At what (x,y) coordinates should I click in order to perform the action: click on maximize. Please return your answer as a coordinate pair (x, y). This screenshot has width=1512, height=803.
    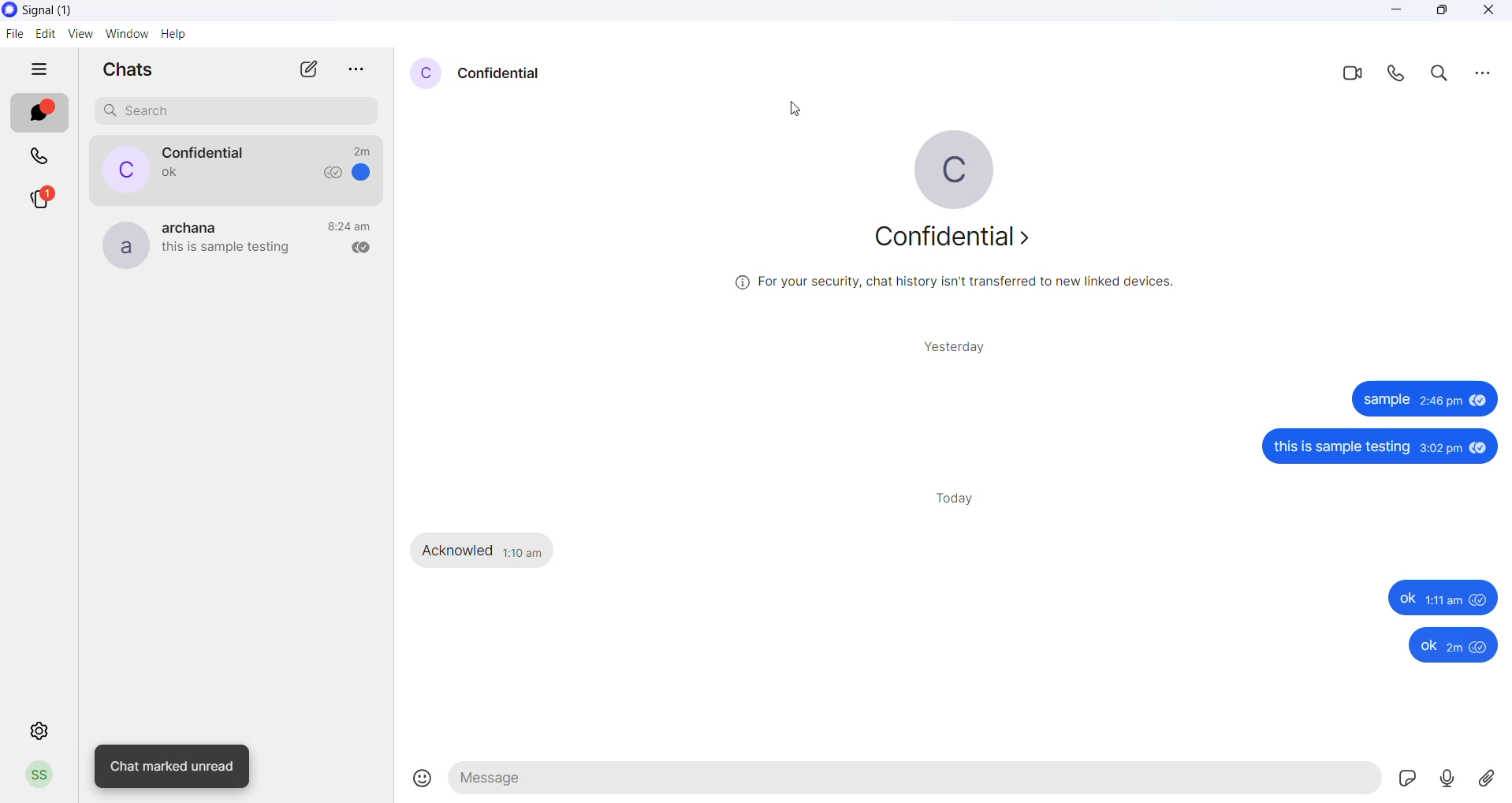
    Looking at the image, I should click on (1443, 13).